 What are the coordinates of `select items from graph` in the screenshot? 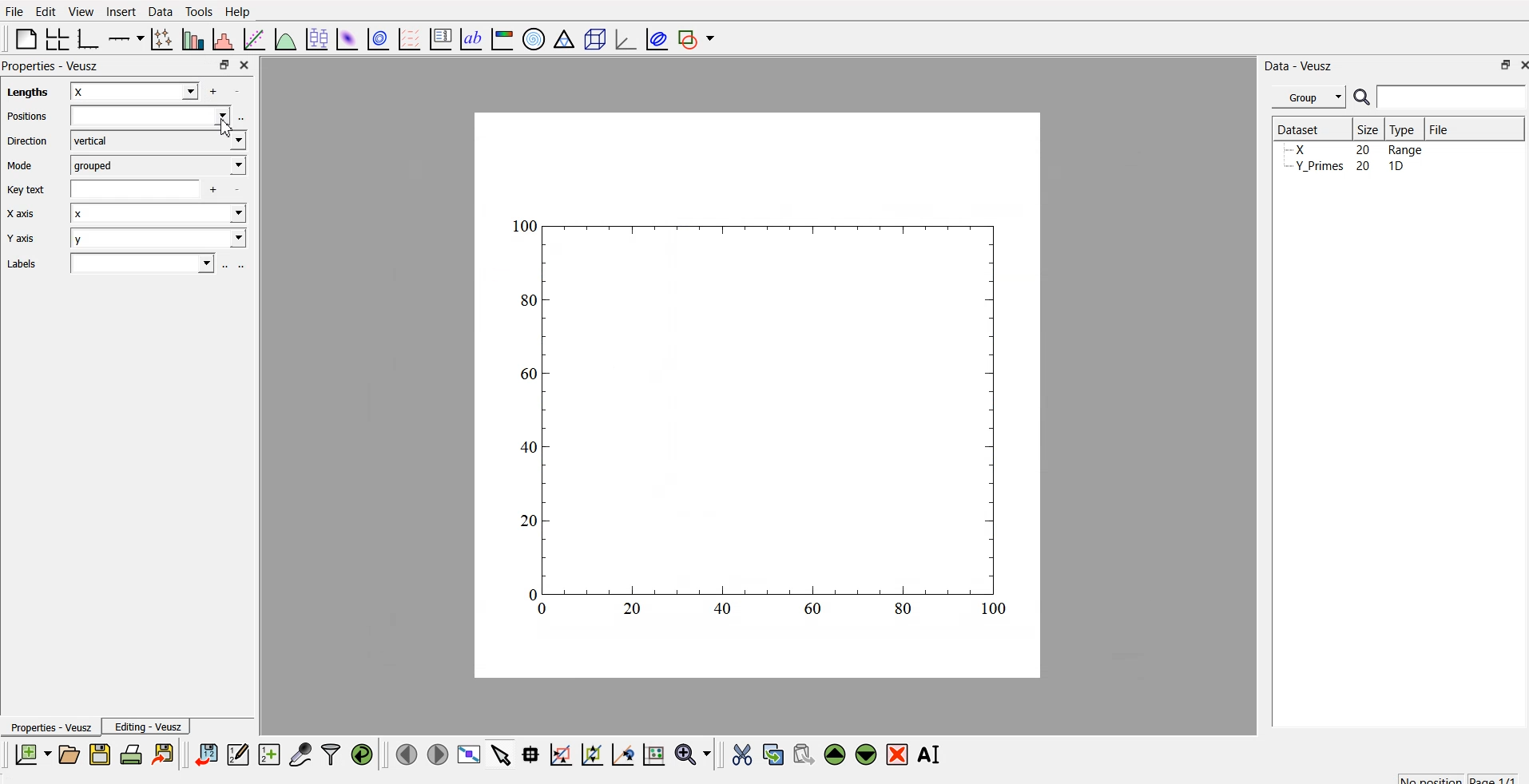 It's located at (502, 754).